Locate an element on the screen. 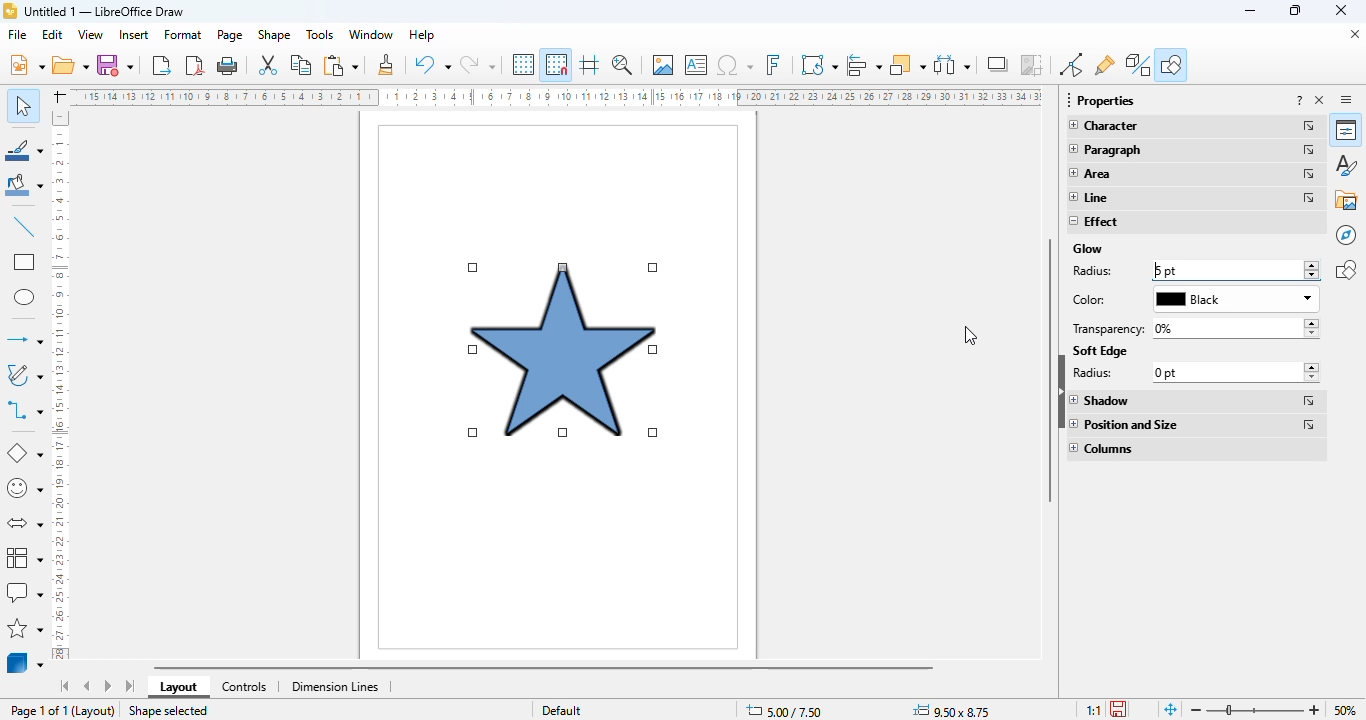  file is located at coordinates (18, 34).